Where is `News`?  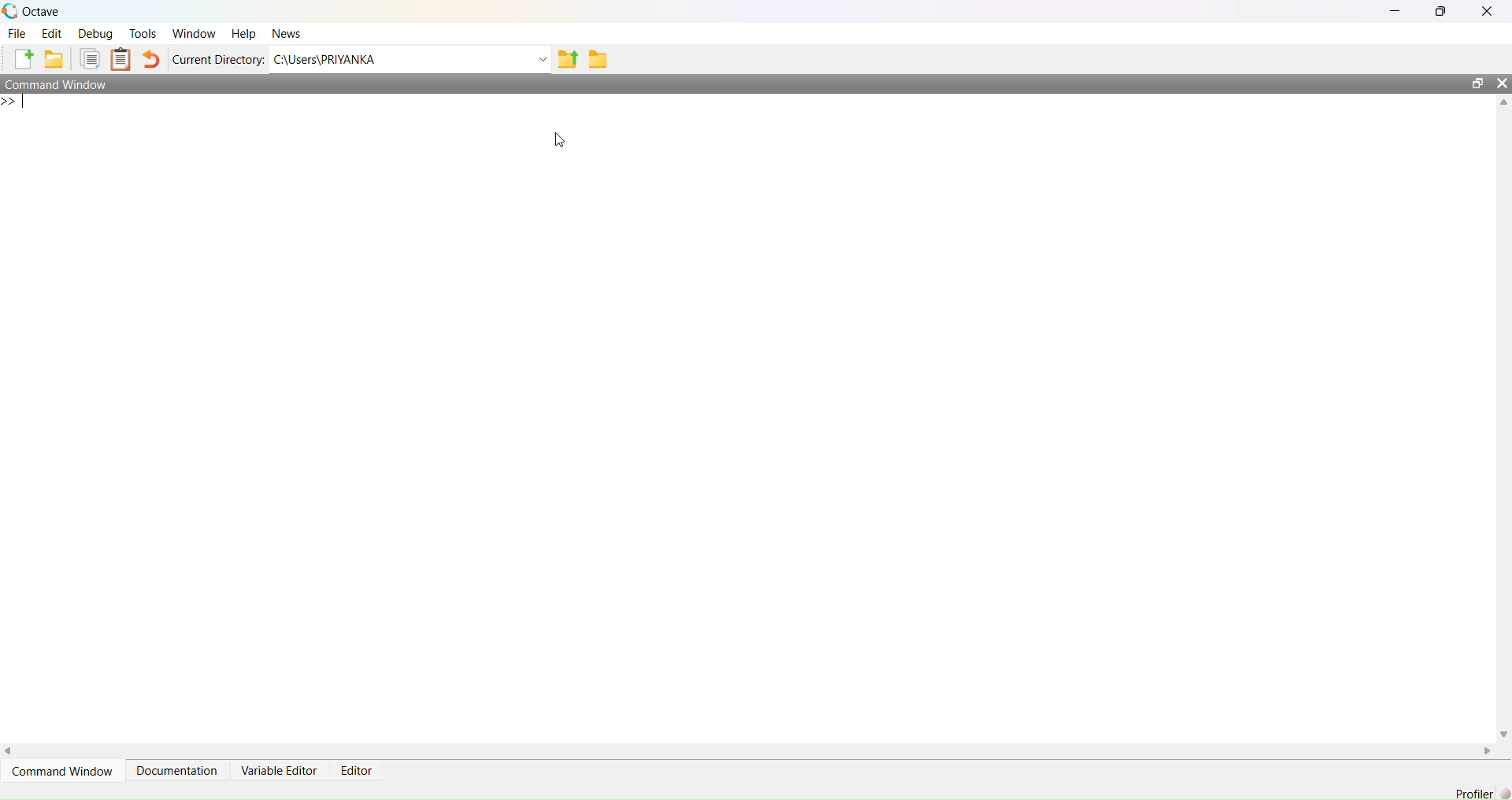 News is located at coordinates (286, 34).